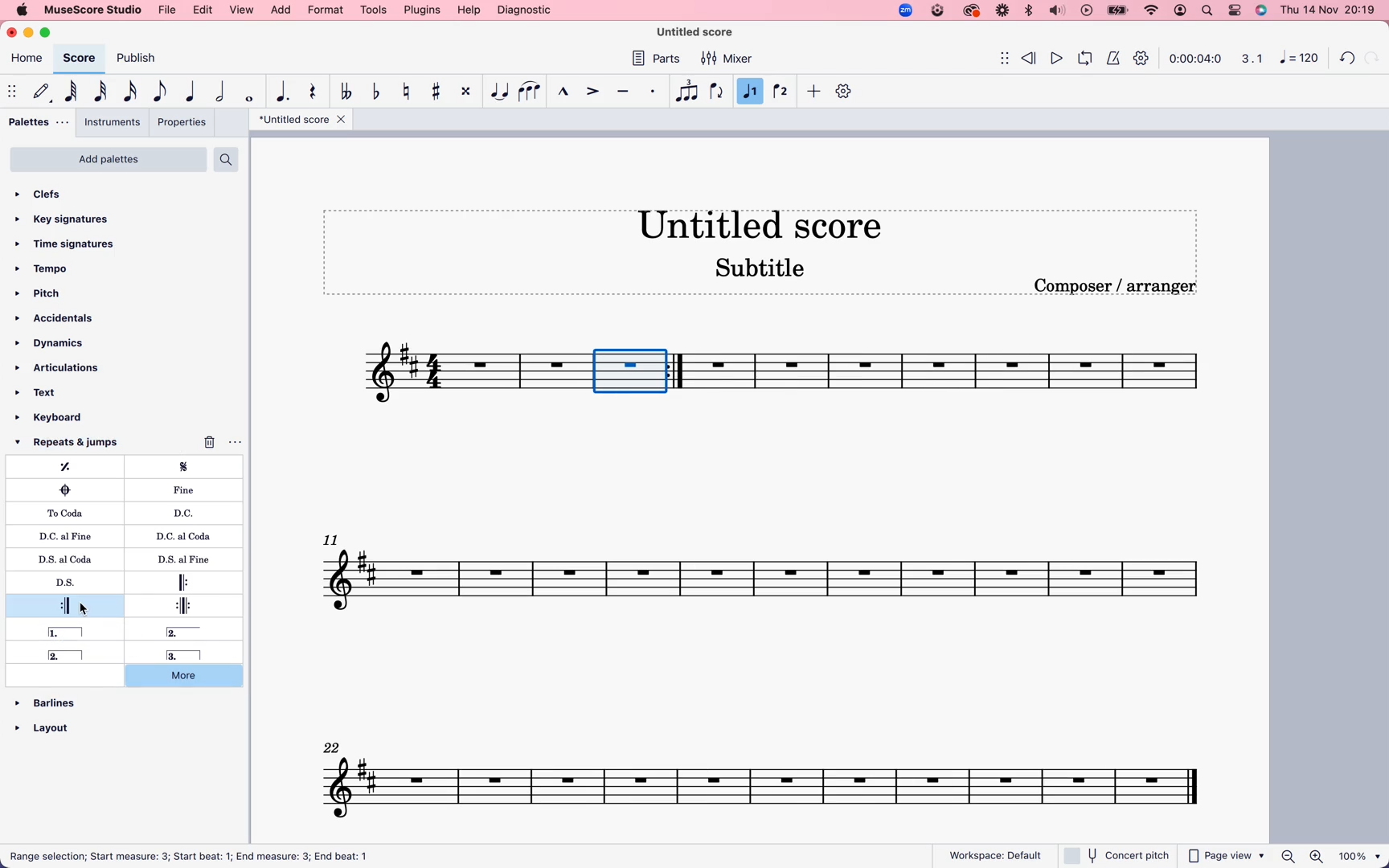 The width and height of the screenshot is (1389, 868). What do you see at coordinates (103, 91) in the screenshot?
I see `32nd note` at bounding box center [103, 91].